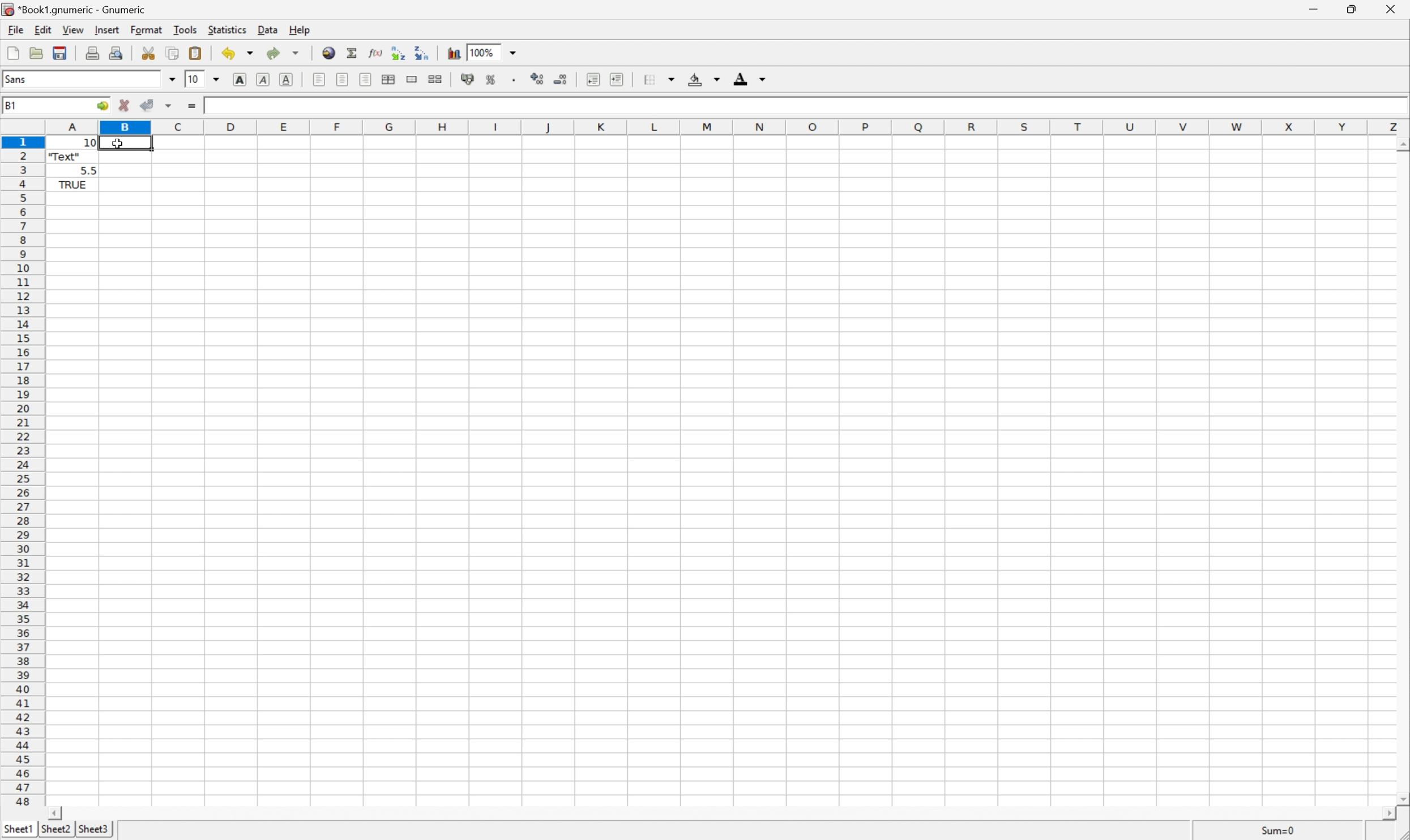  What do you see at coordinates (57, 812) in the screenshot?
I see `Scroll Left` at bounding box center [57, 812].